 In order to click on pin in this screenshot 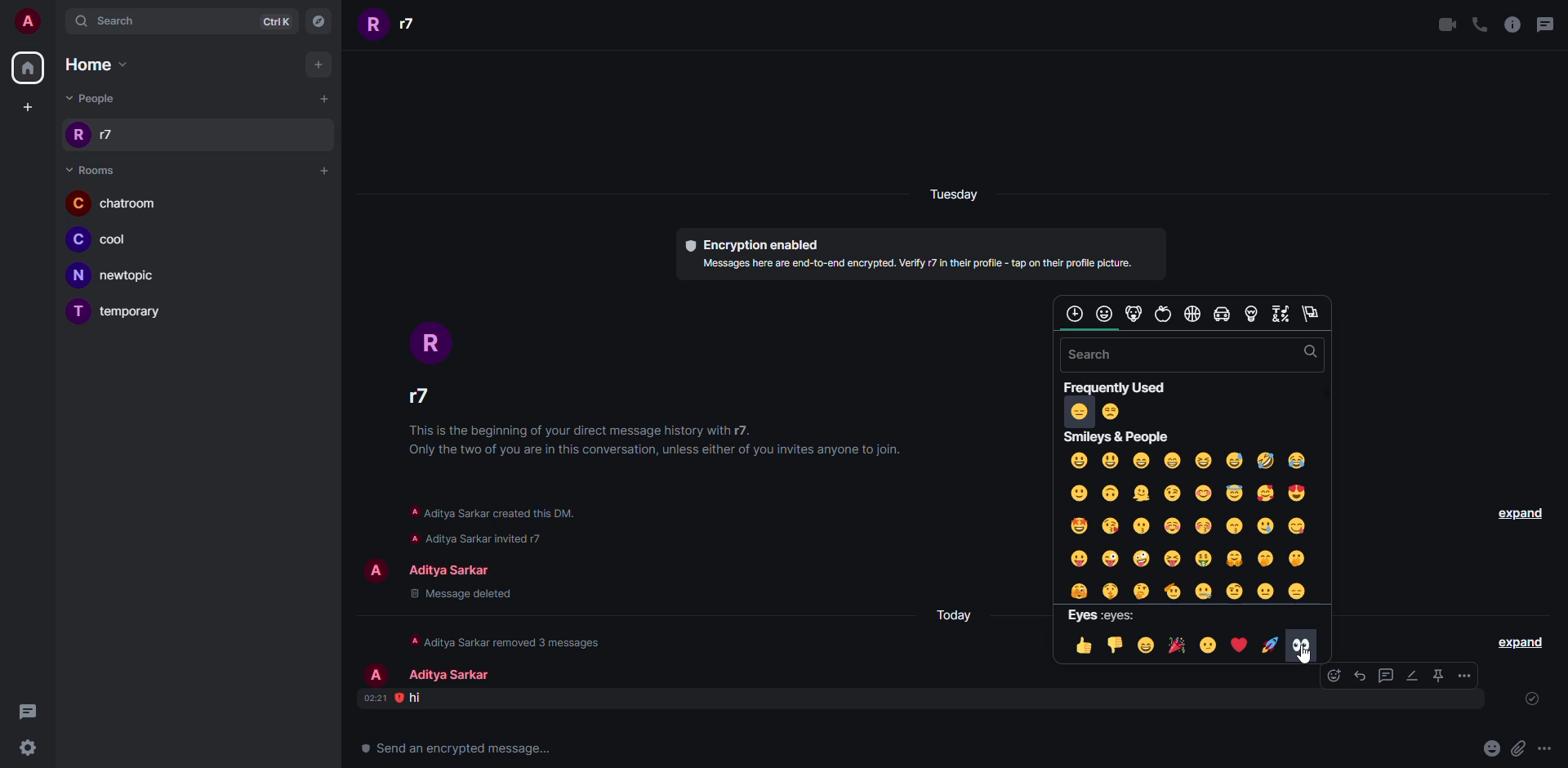, I will do `click(1439, 676)`.